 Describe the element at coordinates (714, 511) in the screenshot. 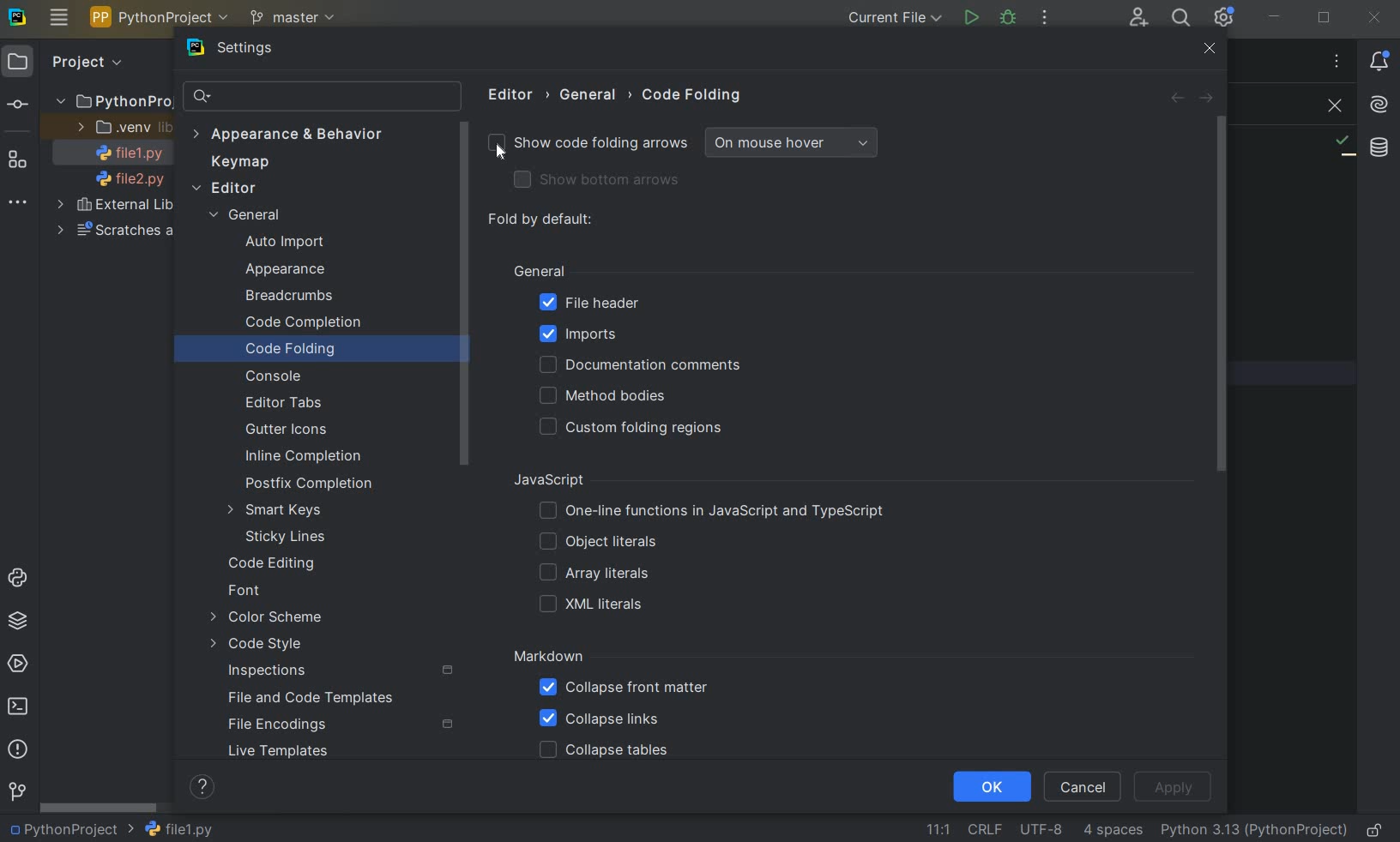

I see `ONE-LINE FUNCTIONS IN JAVASCRIPT AND TYPESCRIPT` at that location.